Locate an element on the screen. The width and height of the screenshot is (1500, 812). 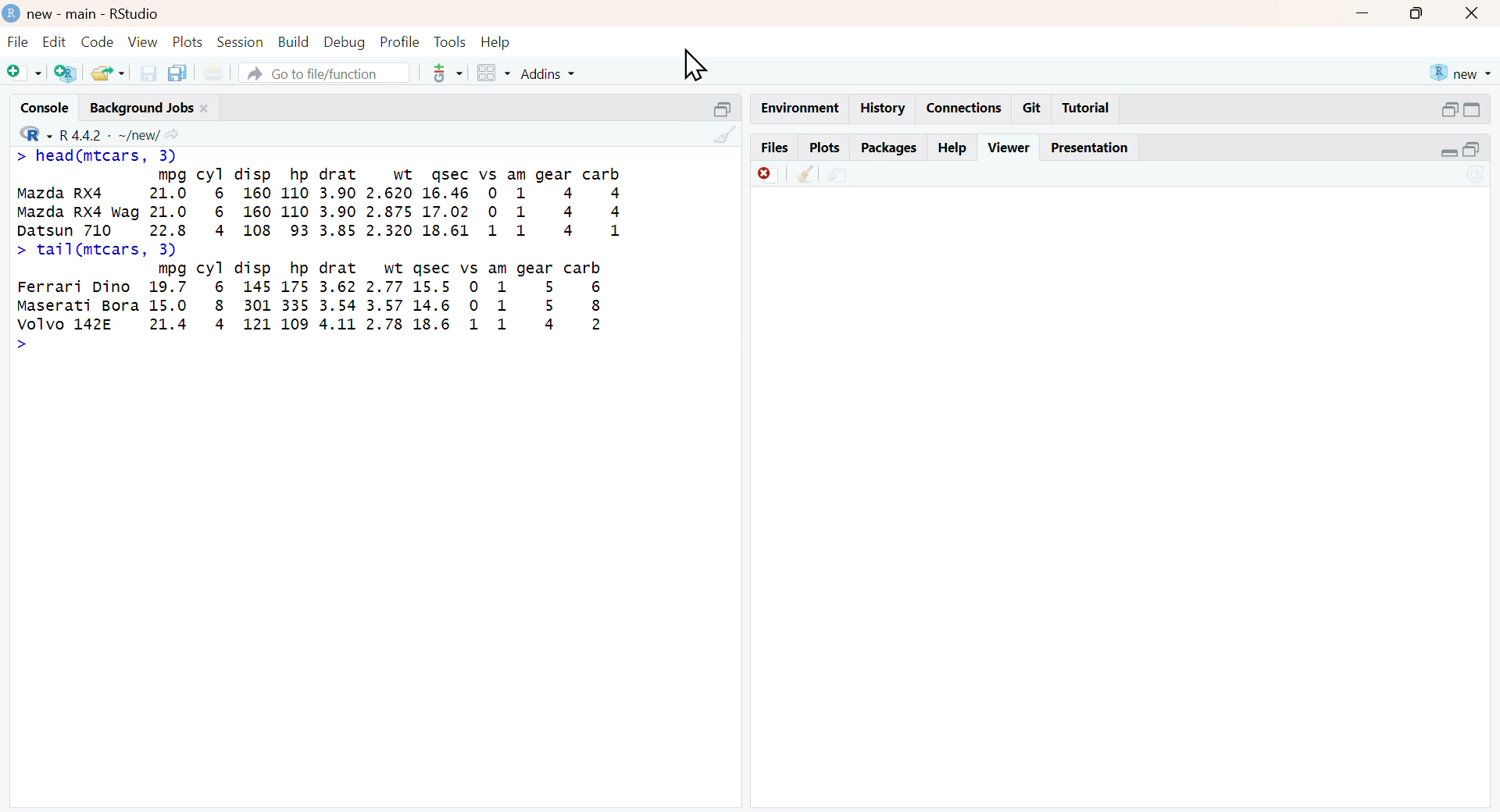
Create new project is located at coordinates (63, 73).